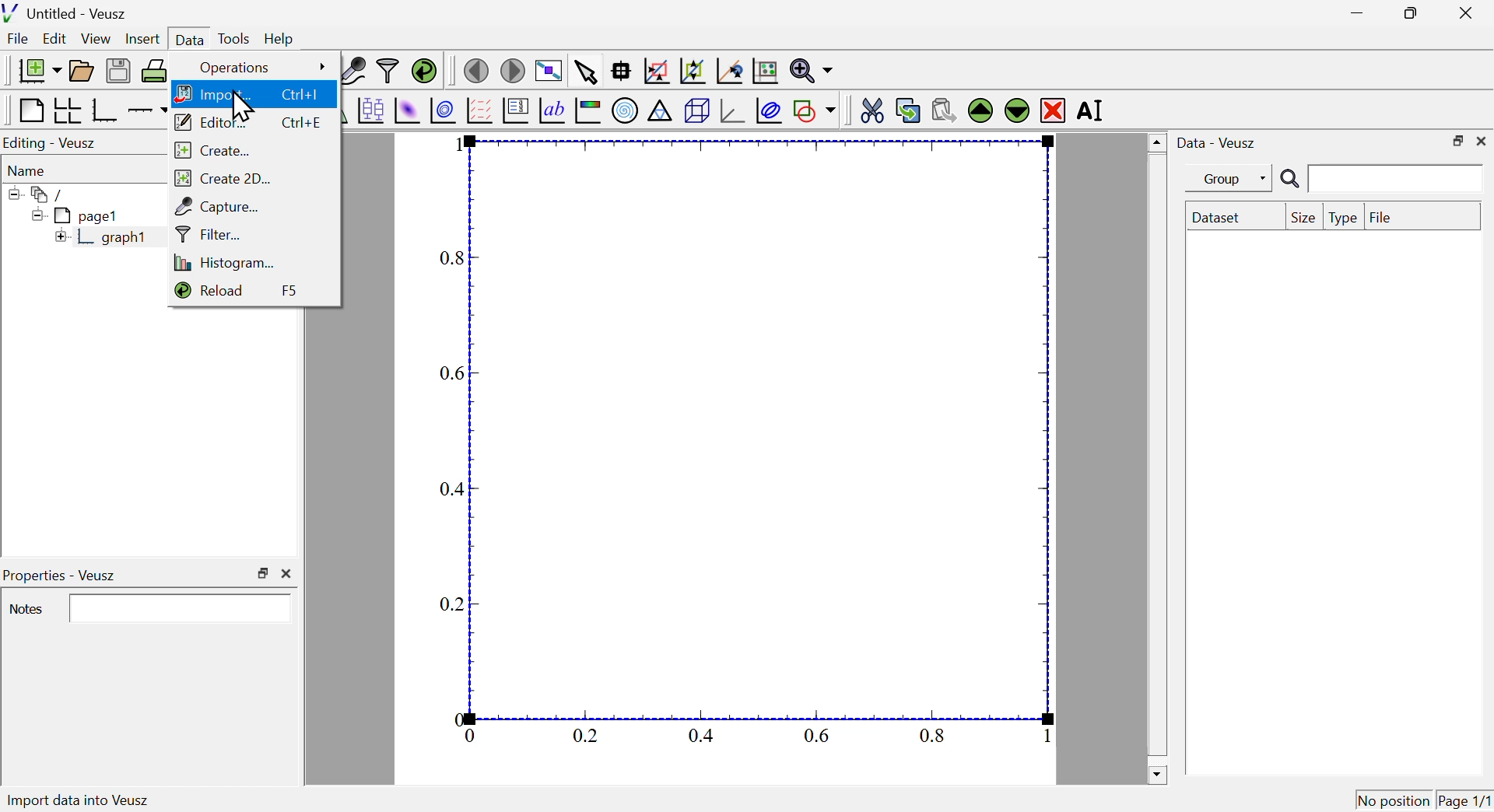  Describe the element at coordinates (43, 194) in the screenshot. I see `folder` at that location.